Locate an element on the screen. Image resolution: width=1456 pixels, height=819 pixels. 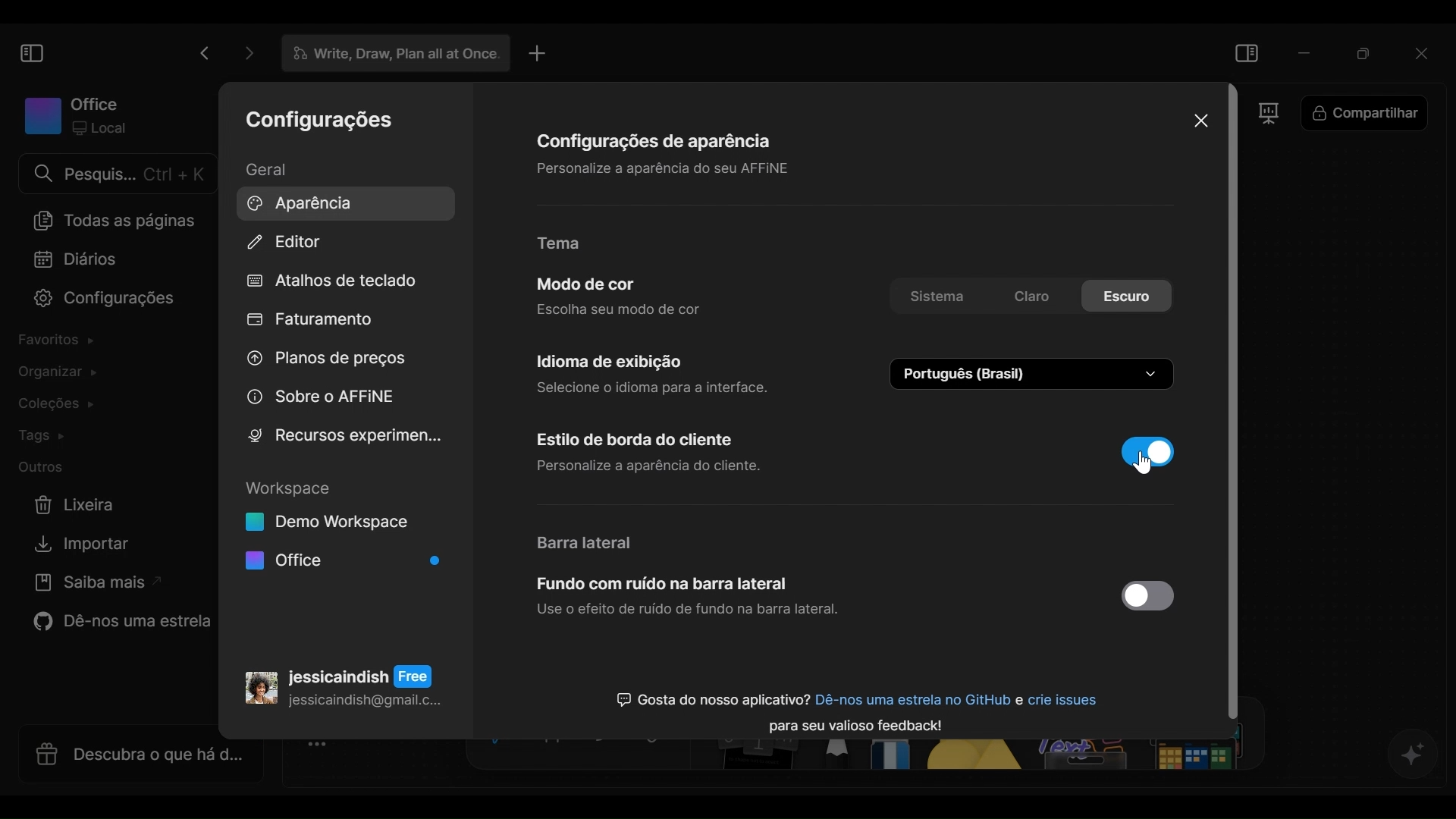
Frame is located at coordinates (1278, 117).